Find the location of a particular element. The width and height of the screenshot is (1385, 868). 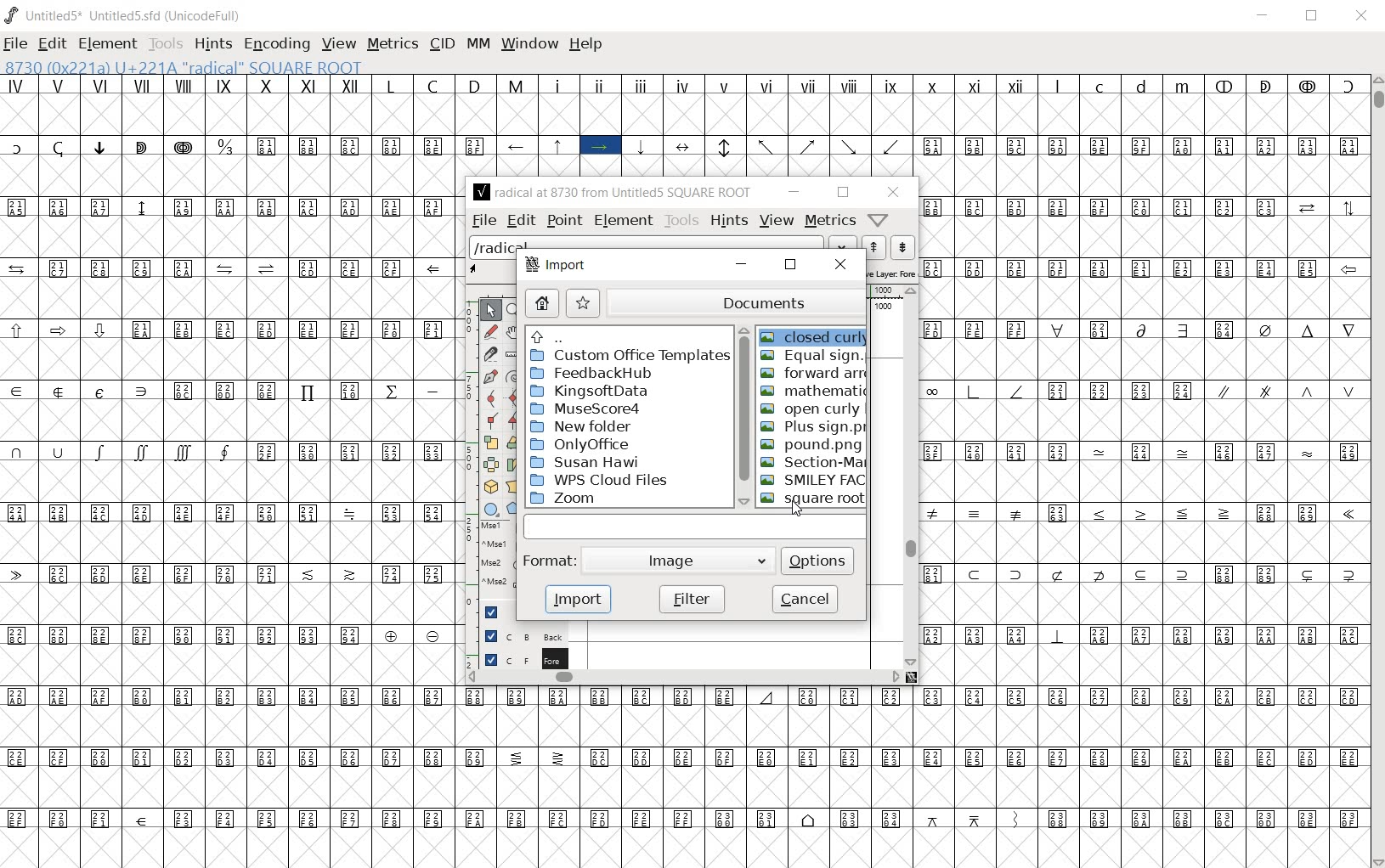

input field is located at coordinates (698, 527).